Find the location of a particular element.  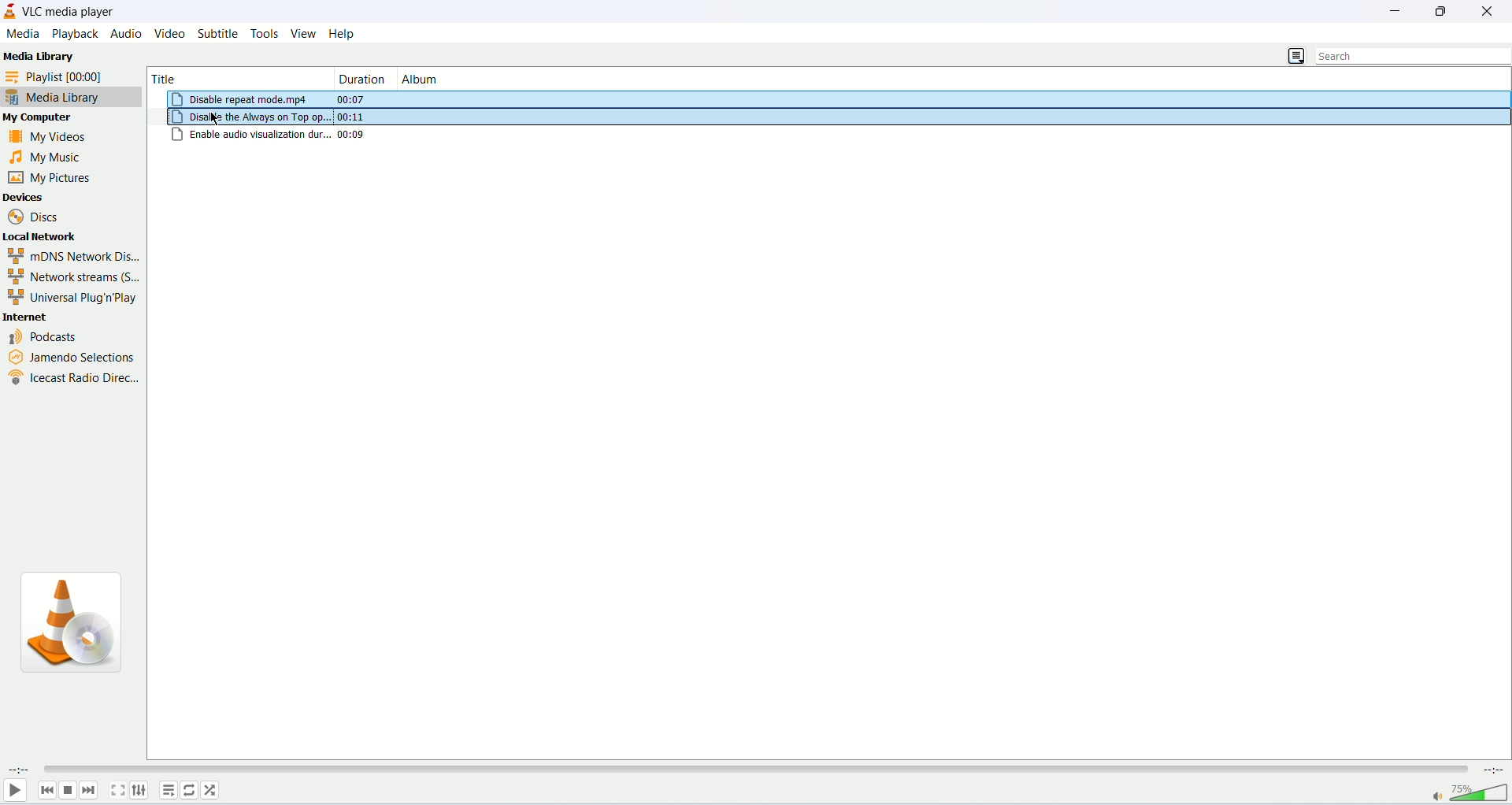

playlist is located at coordinates (168, 790).